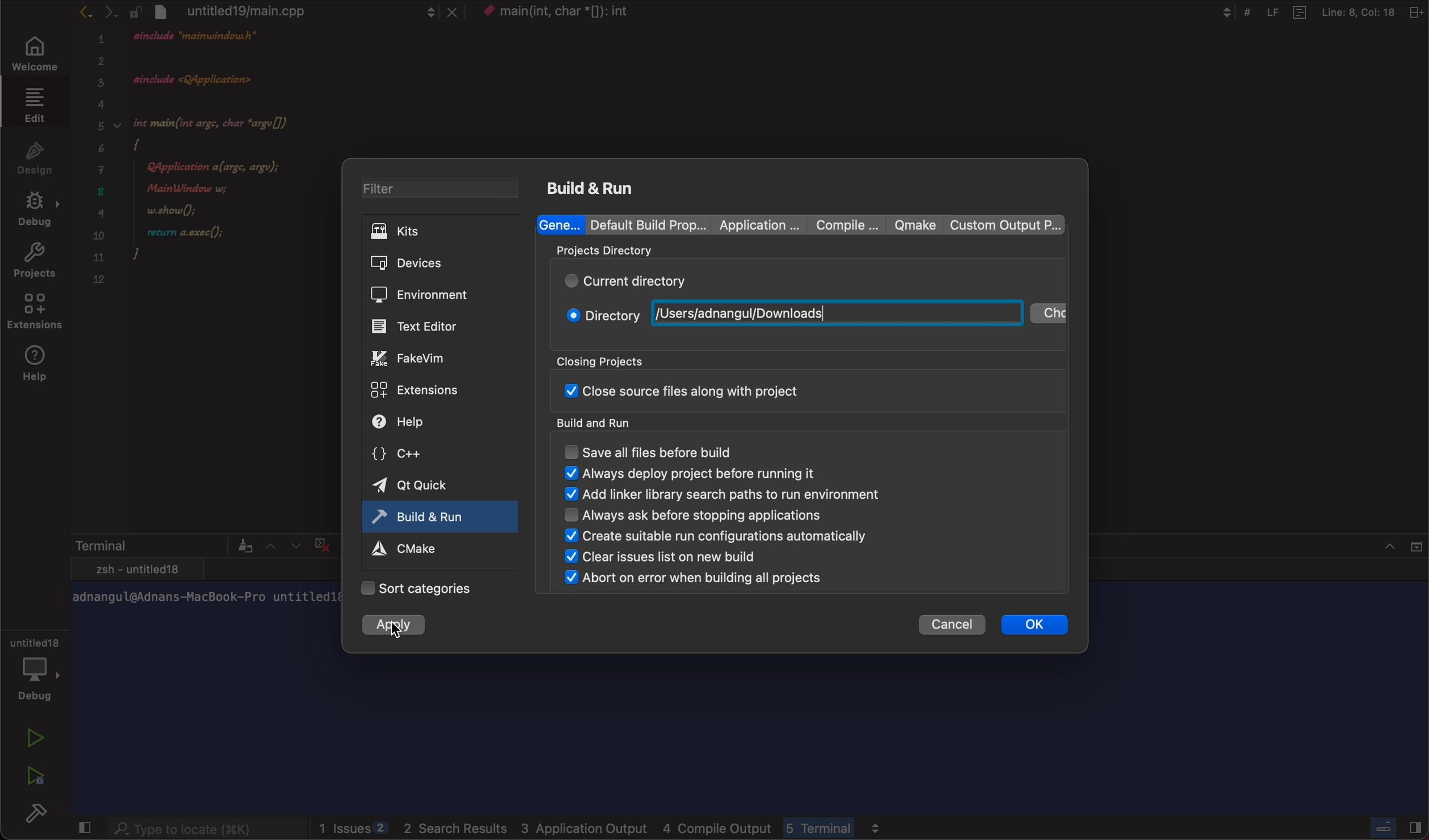 Image resolution: width=1429 pixels, height=840 pixels. Describe the element at coordinates (442, 190) in the screenshot. I see `filter` at that location.